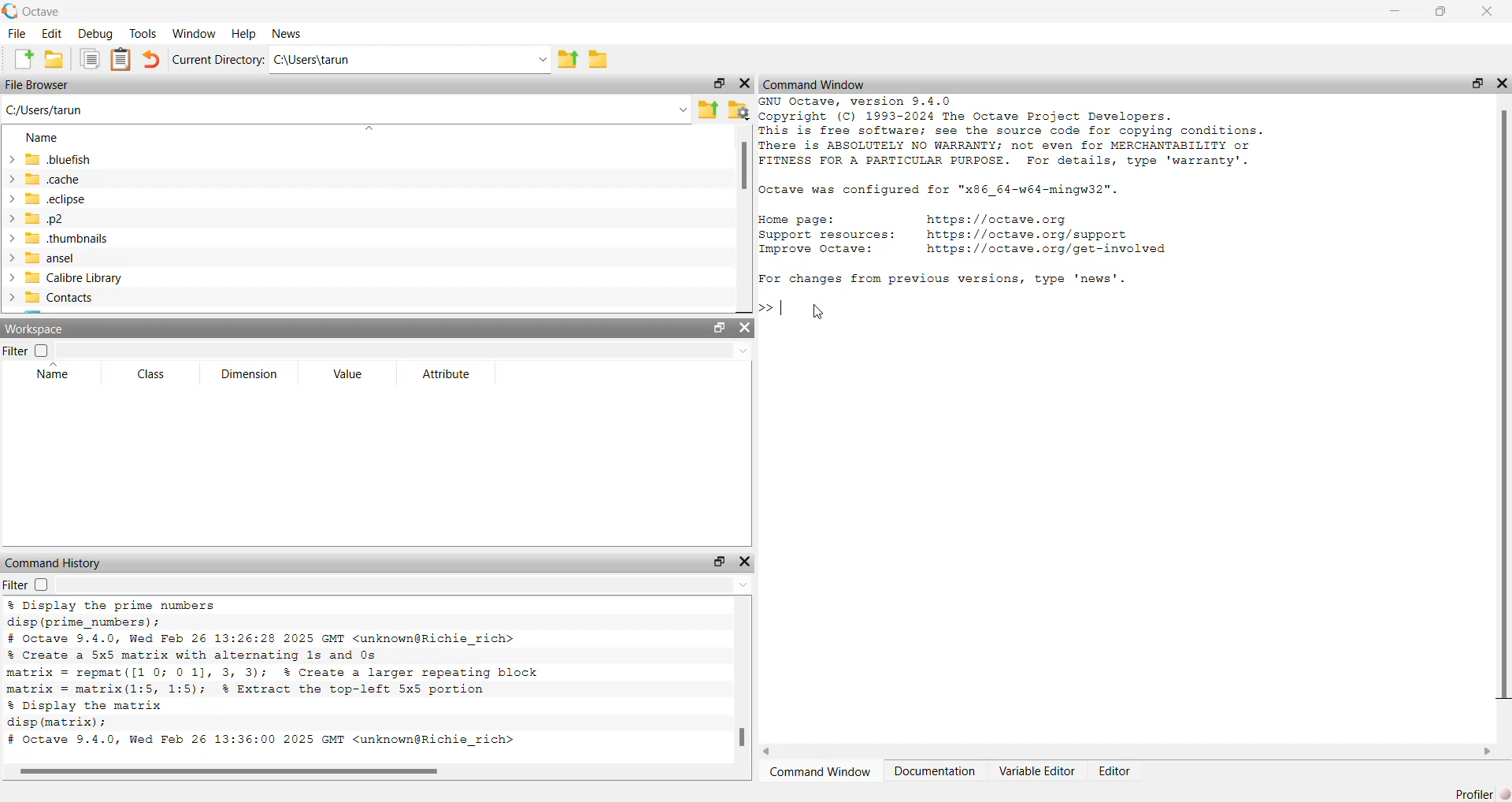  I want to click on minimize, so click(1398, 12).